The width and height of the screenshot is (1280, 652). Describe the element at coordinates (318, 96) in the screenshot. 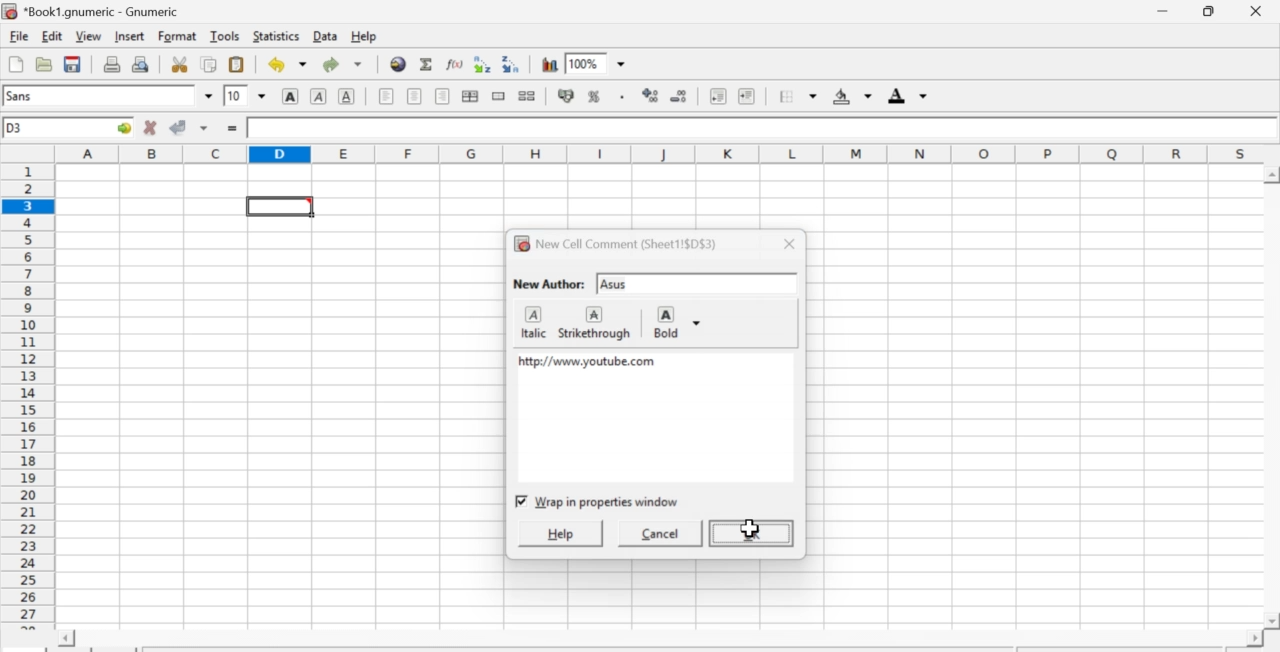

I see `Italics` at that location.